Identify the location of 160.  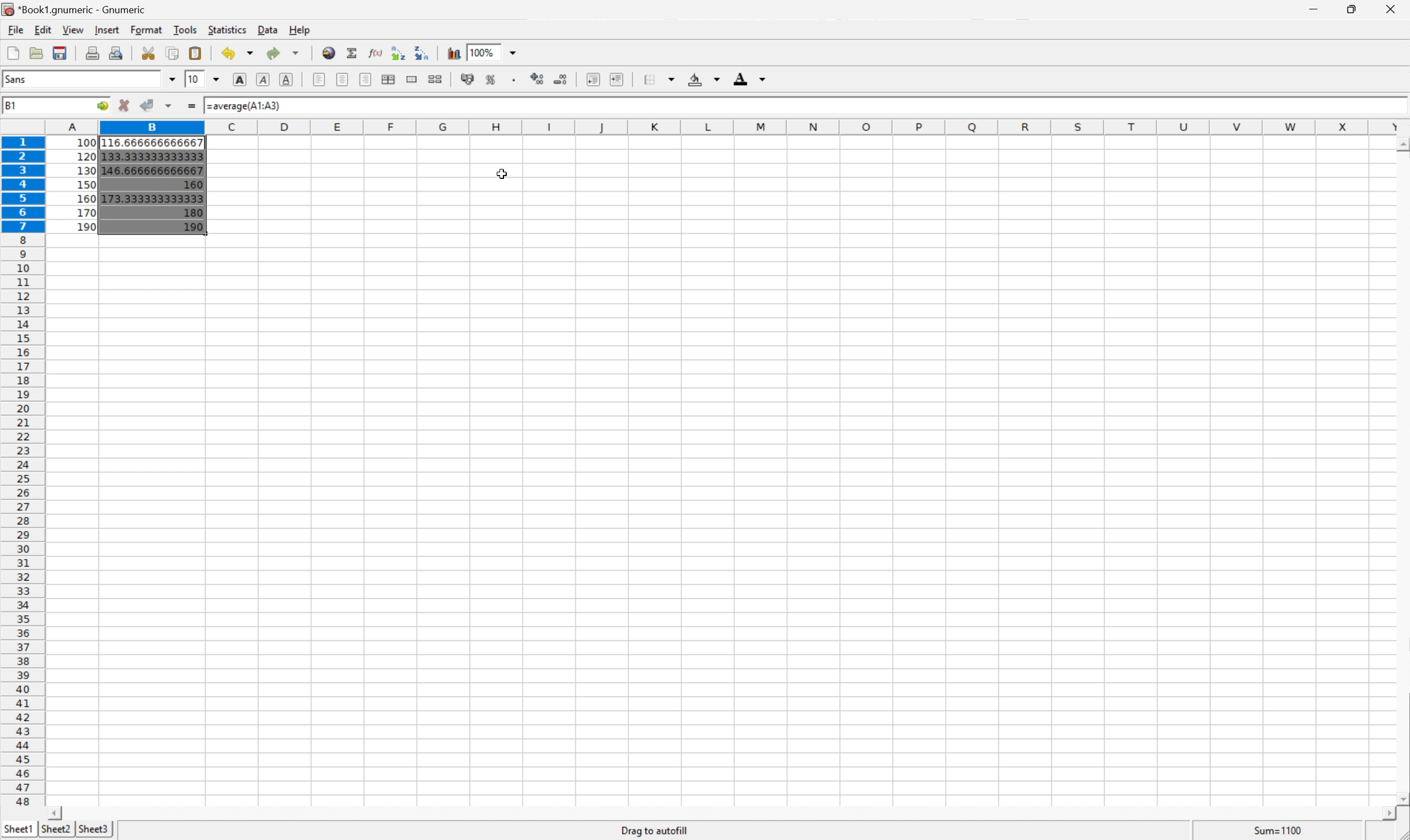
(87, 197).